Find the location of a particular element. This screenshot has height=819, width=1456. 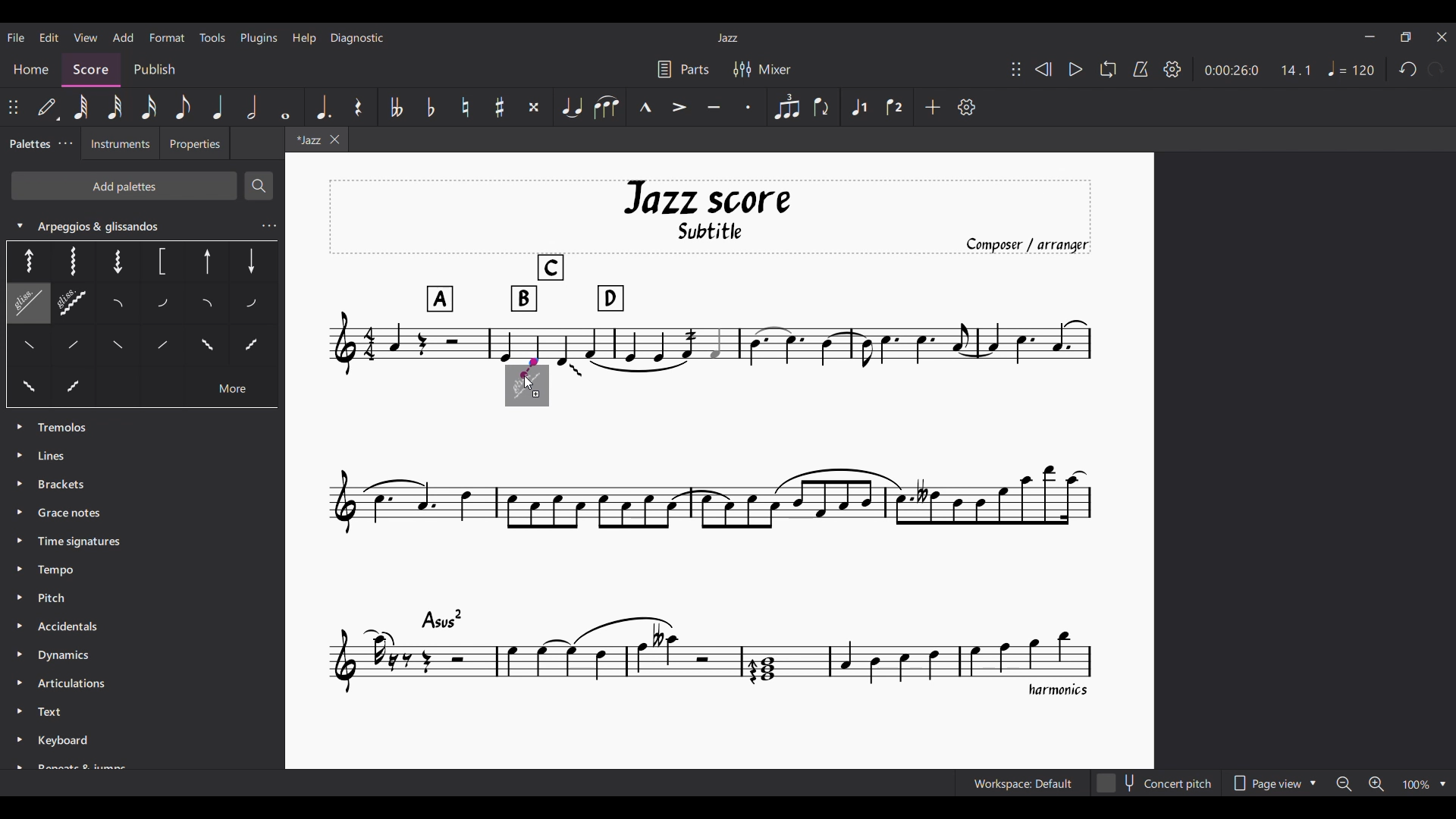

16th note is located at coordinates (148, 107).